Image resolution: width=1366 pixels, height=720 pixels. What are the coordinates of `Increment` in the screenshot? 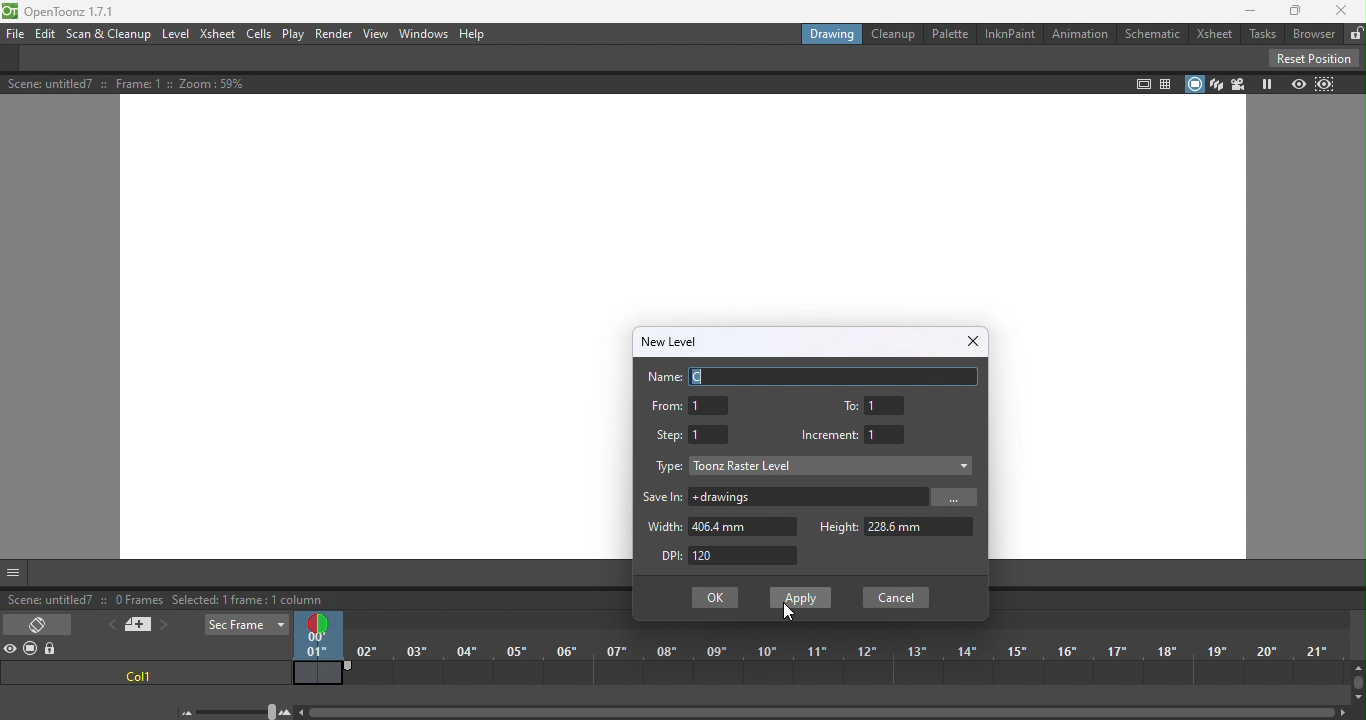 It's located at (857, 435).